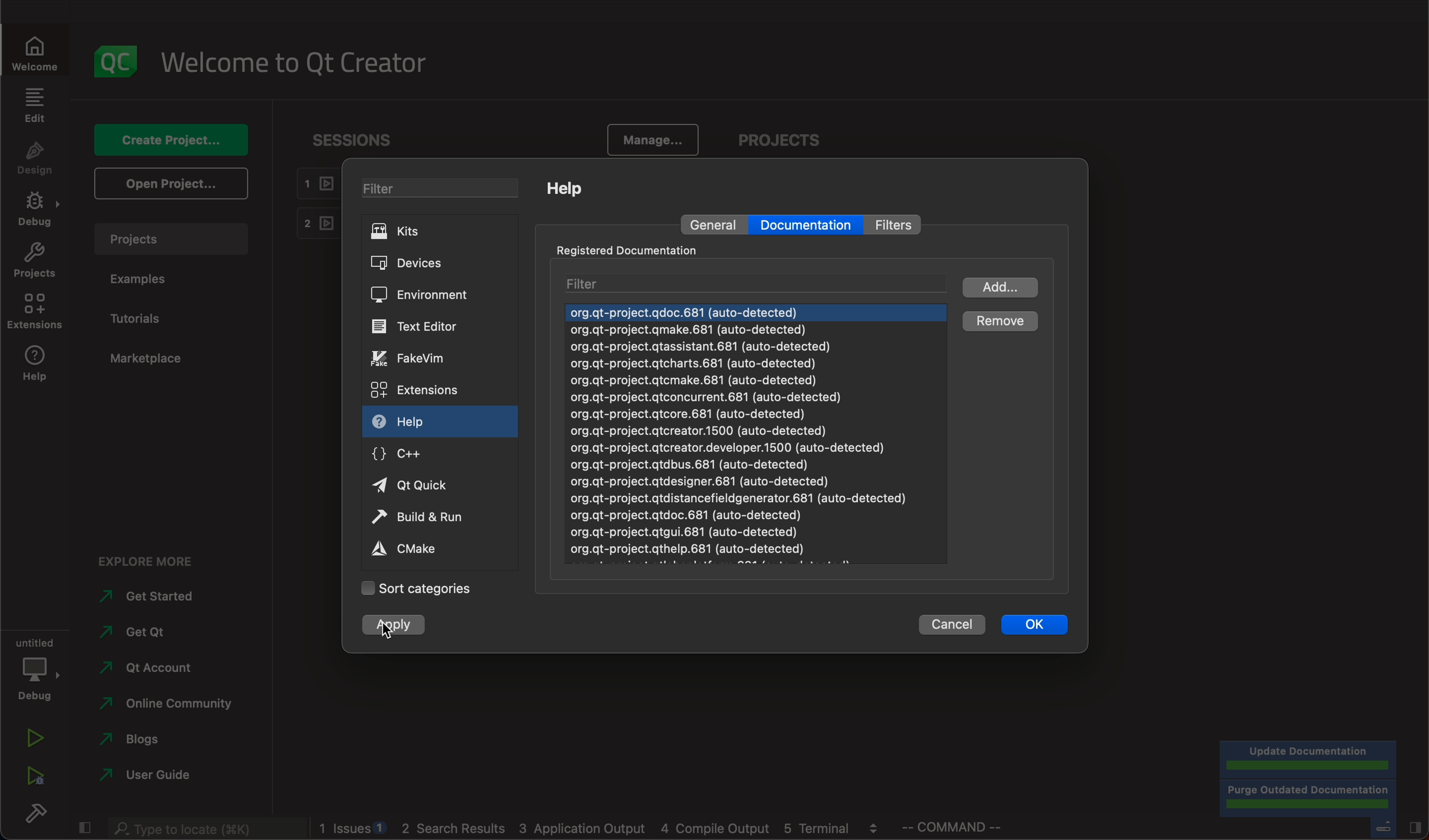 The image size is (1429, 840). Describe the element at coordinates (150, 669) in the screenshot. I see `account` at that location.